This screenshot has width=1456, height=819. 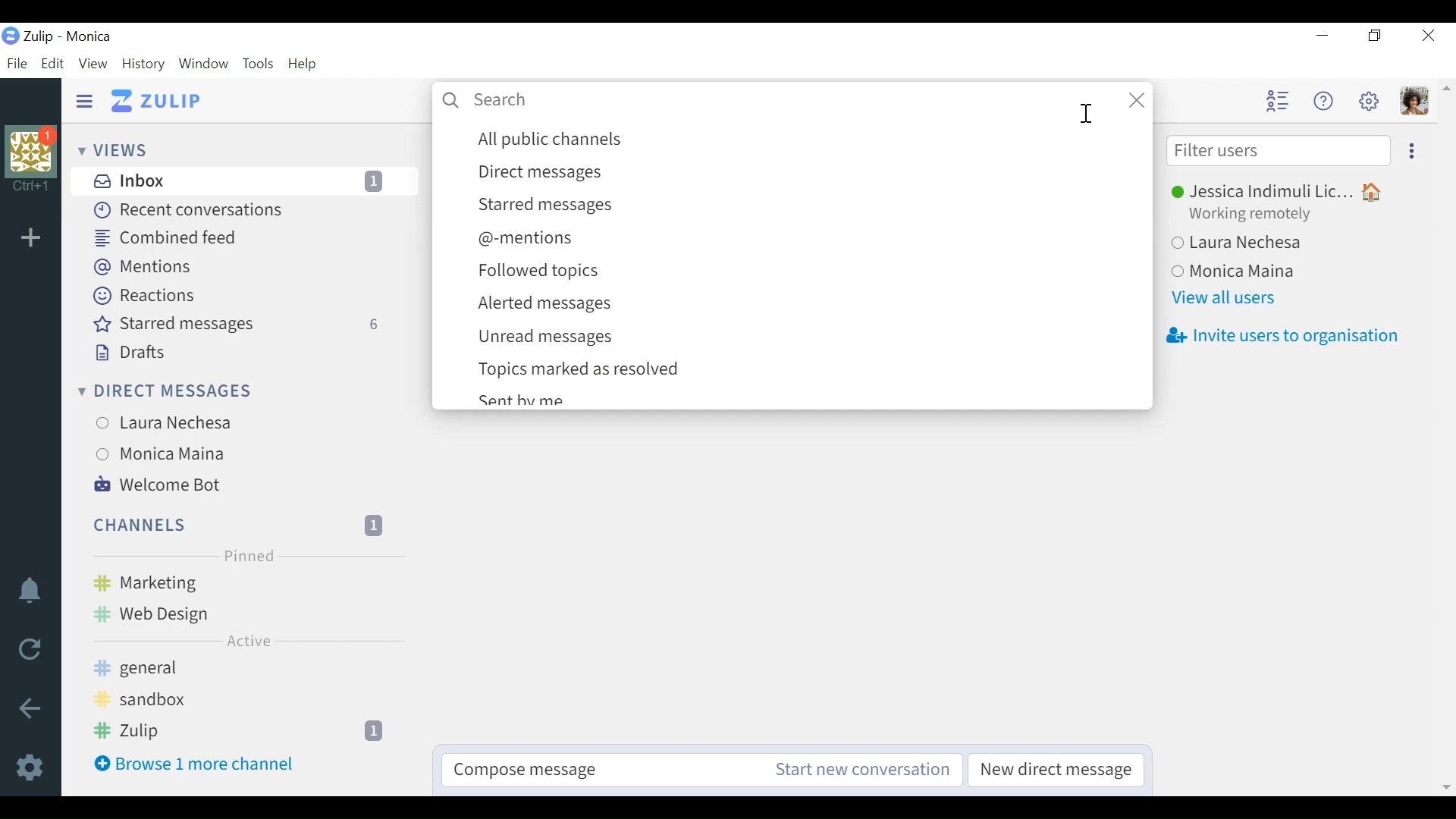 I want to click on View, so click(x=94, y=65).